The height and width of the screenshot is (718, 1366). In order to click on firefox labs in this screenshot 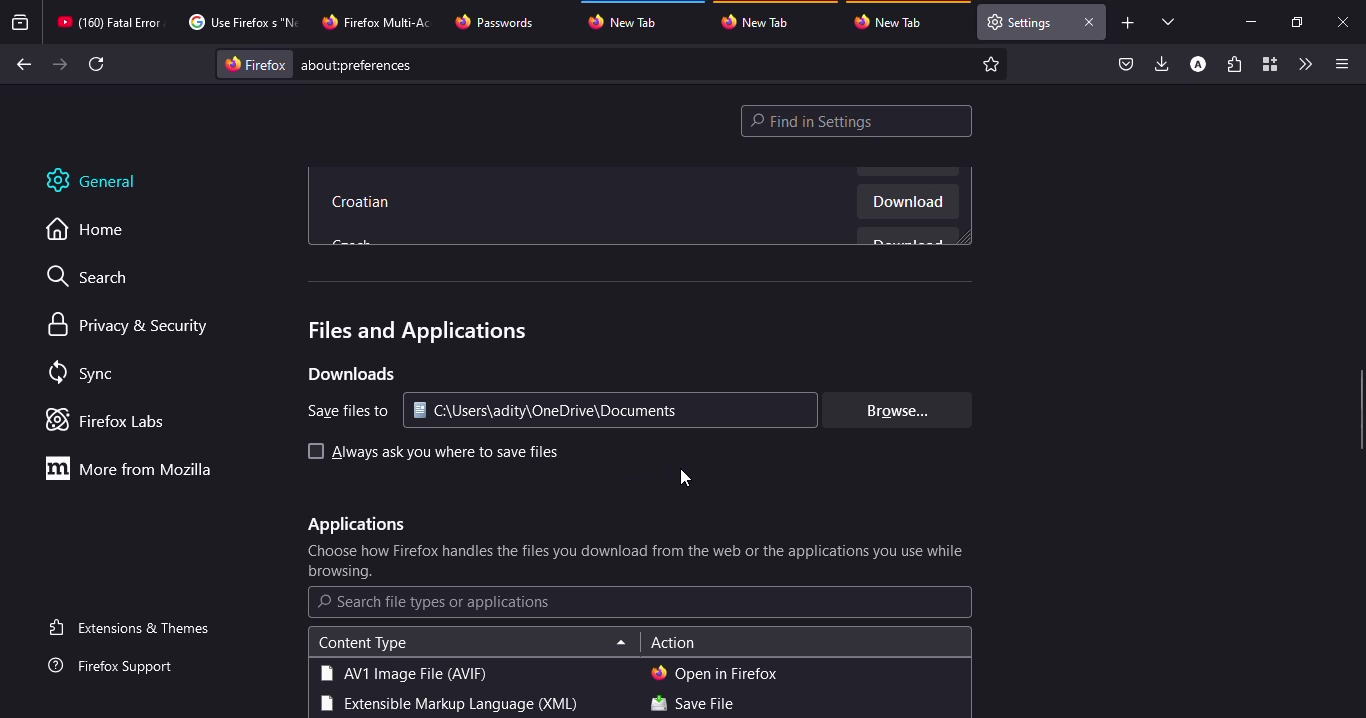, I will do `click(112, 420)`.